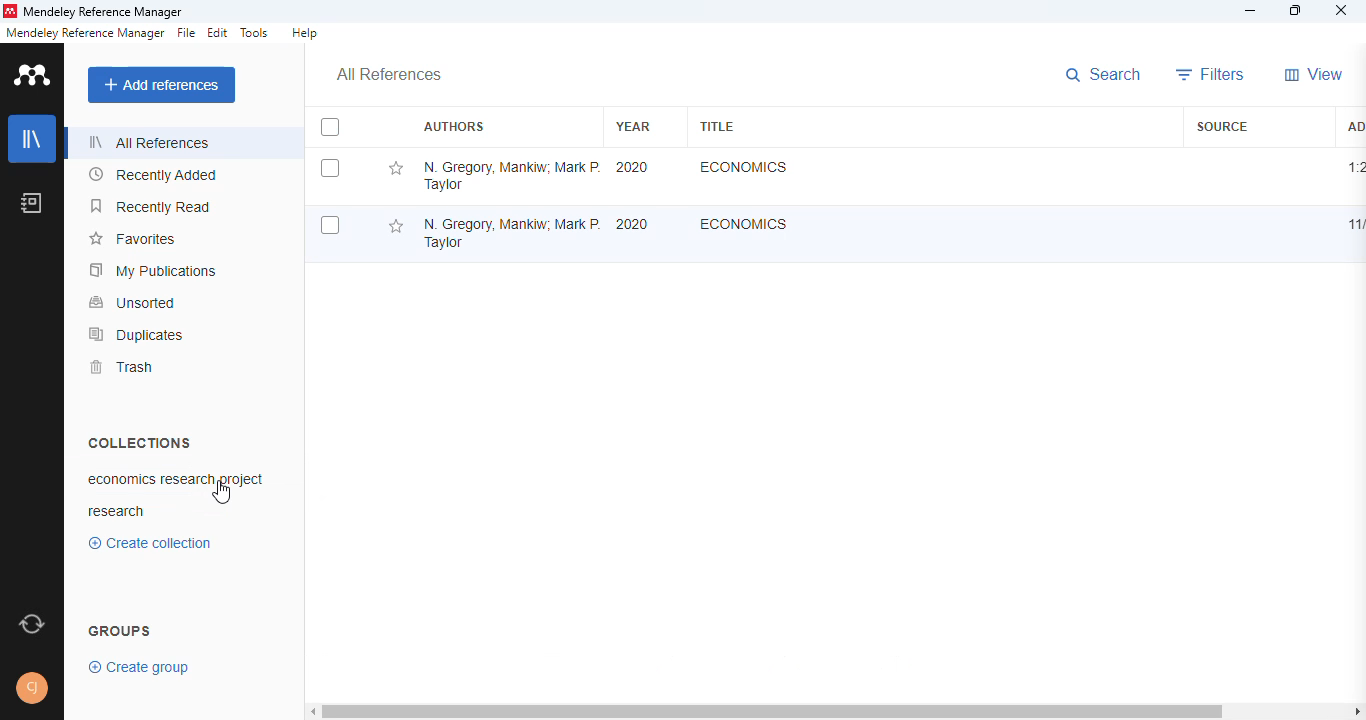 The height and width of the screenshot is (720, 1366). I want to click on duplicates, so click(137, 334).